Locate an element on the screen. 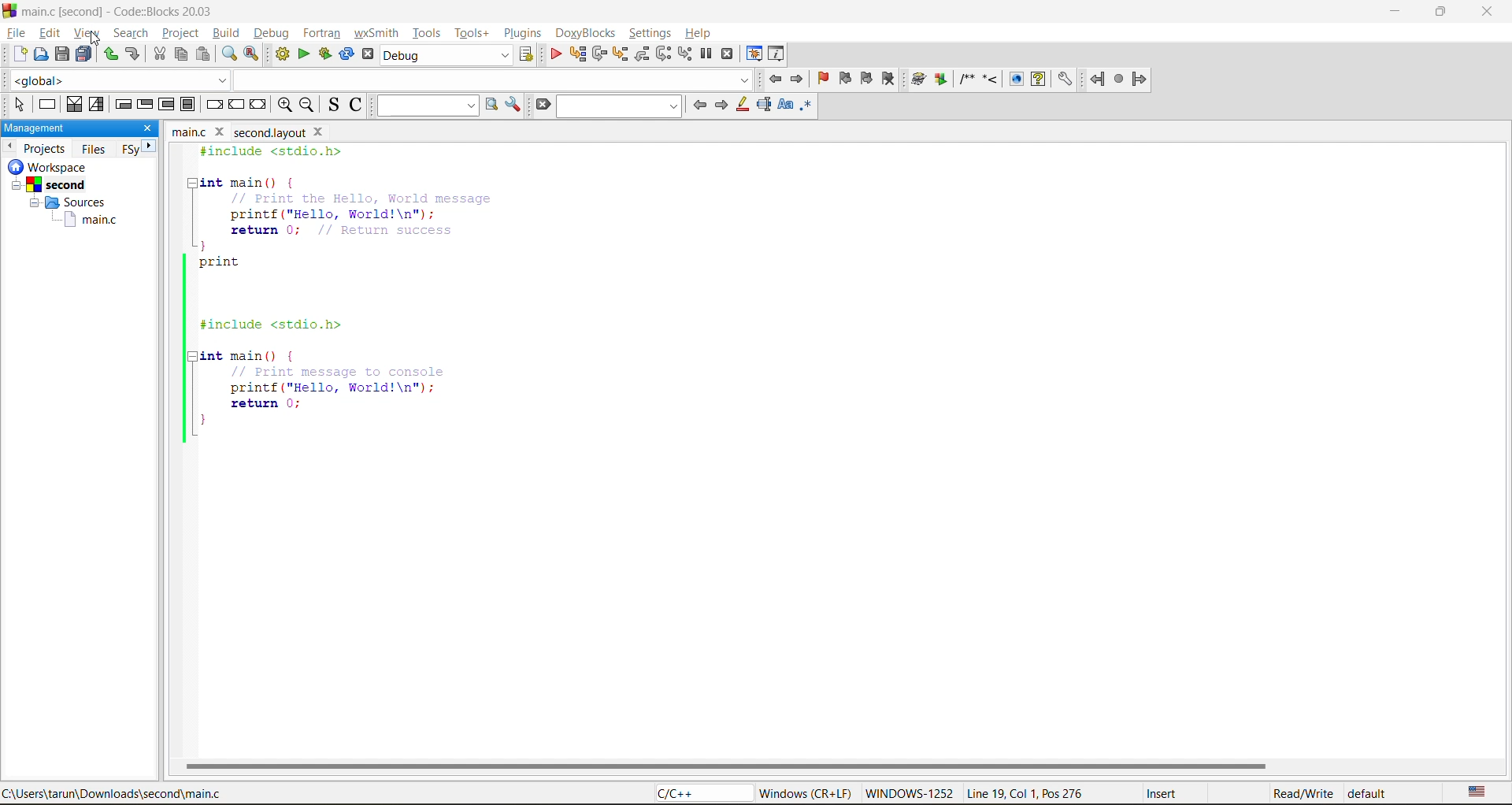 The image size is (1512, 805). clear is located at coordinates (539, 106).